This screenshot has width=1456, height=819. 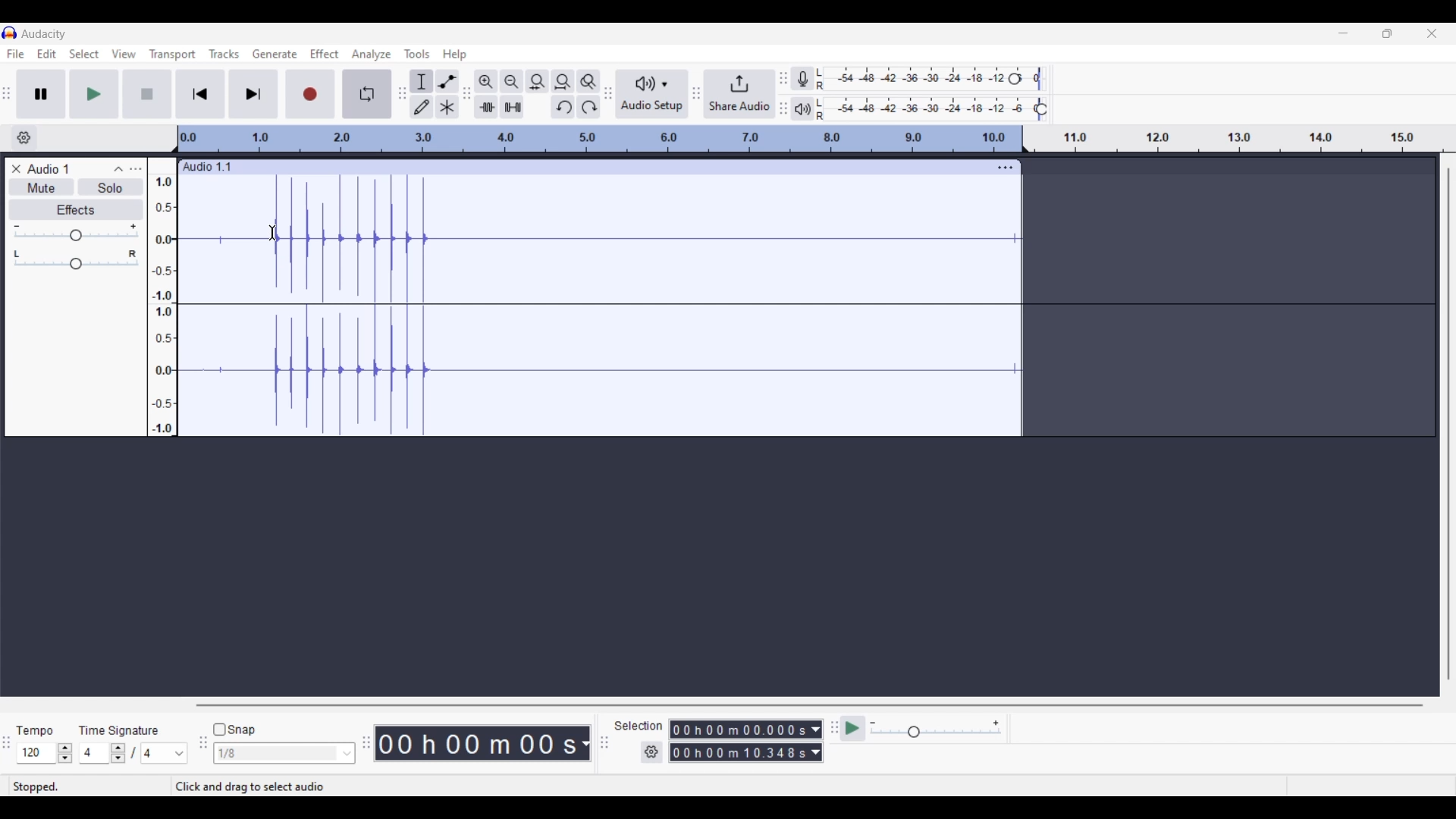 I want to click on Play-at-speed/Play-at-speed once, so click(x=852, y=729).